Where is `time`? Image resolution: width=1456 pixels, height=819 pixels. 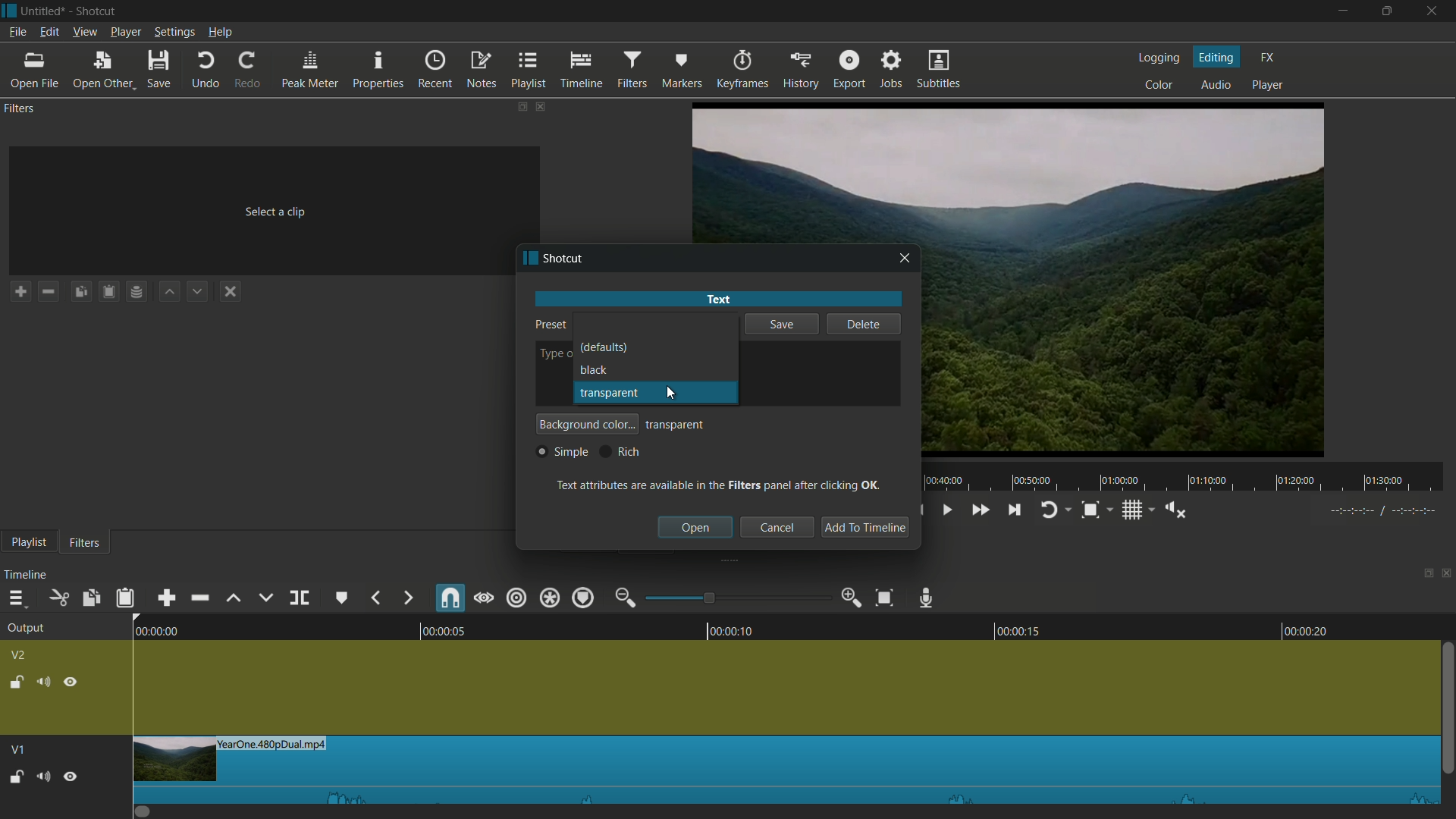 time is located at coordinates (1189, 477).